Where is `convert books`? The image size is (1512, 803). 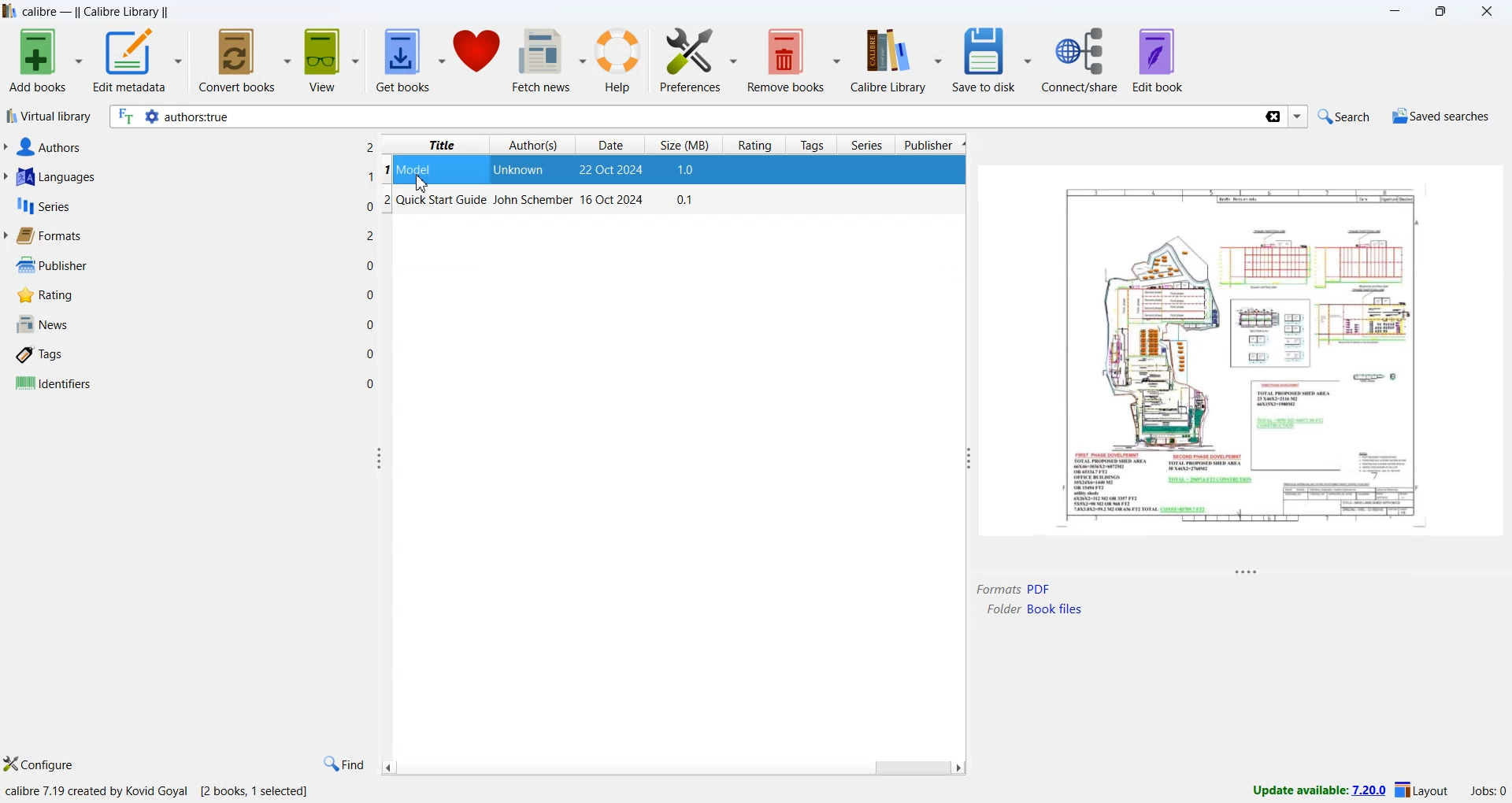
convert books is located at coordinates (246, 59).